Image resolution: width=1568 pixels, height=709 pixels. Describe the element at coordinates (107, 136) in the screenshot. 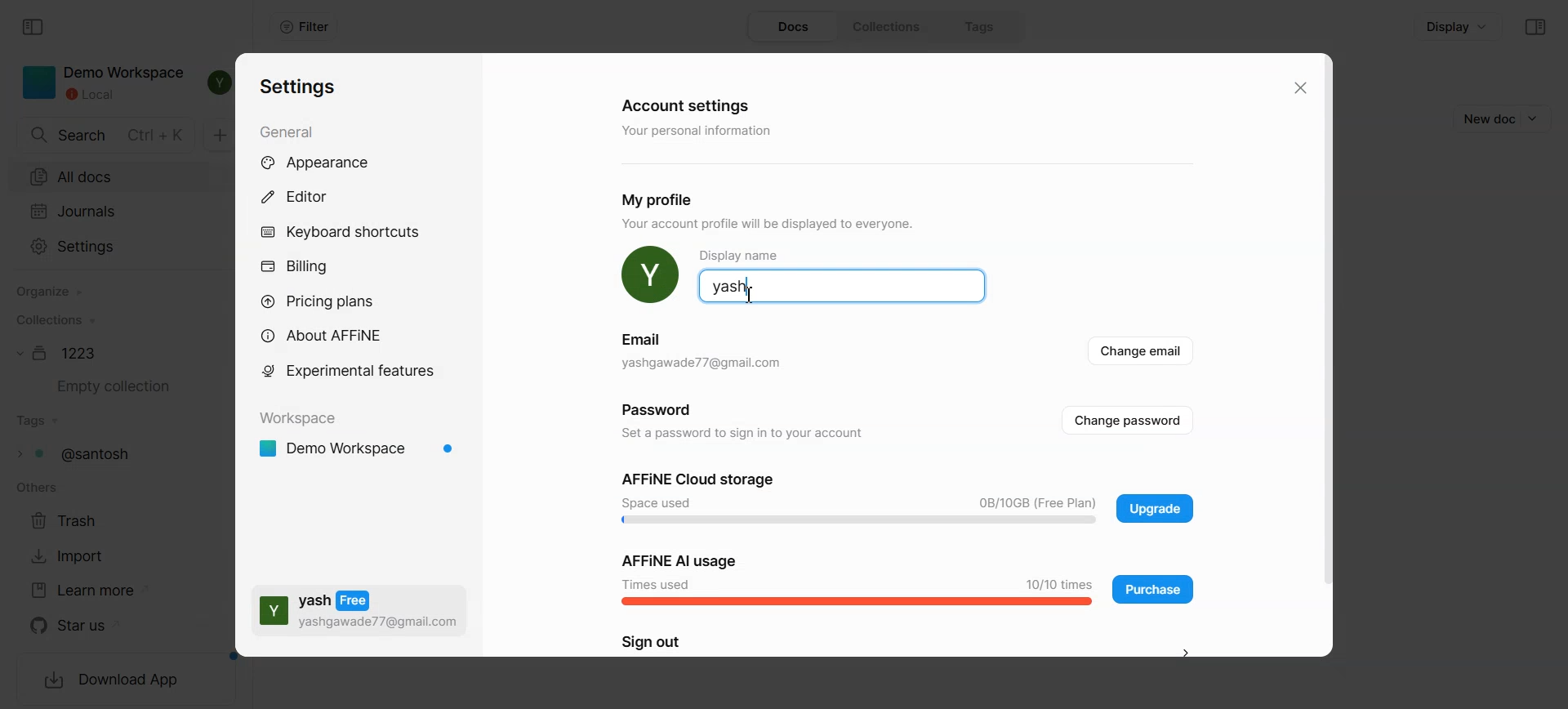

I see `Search doc` at that location.